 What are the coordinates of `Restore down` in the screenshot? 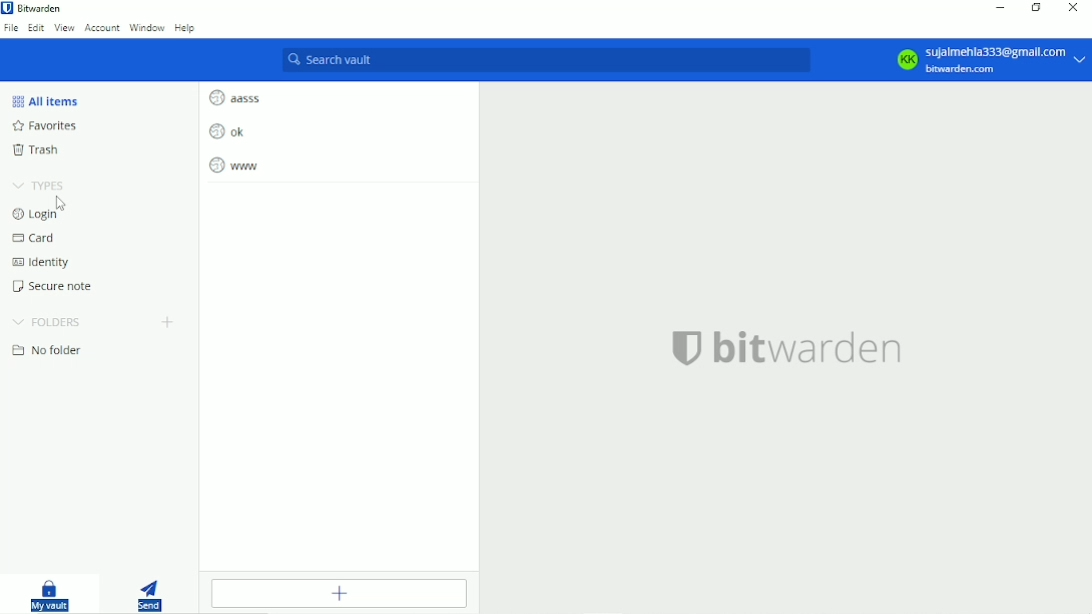 It's located at (1037, 9).